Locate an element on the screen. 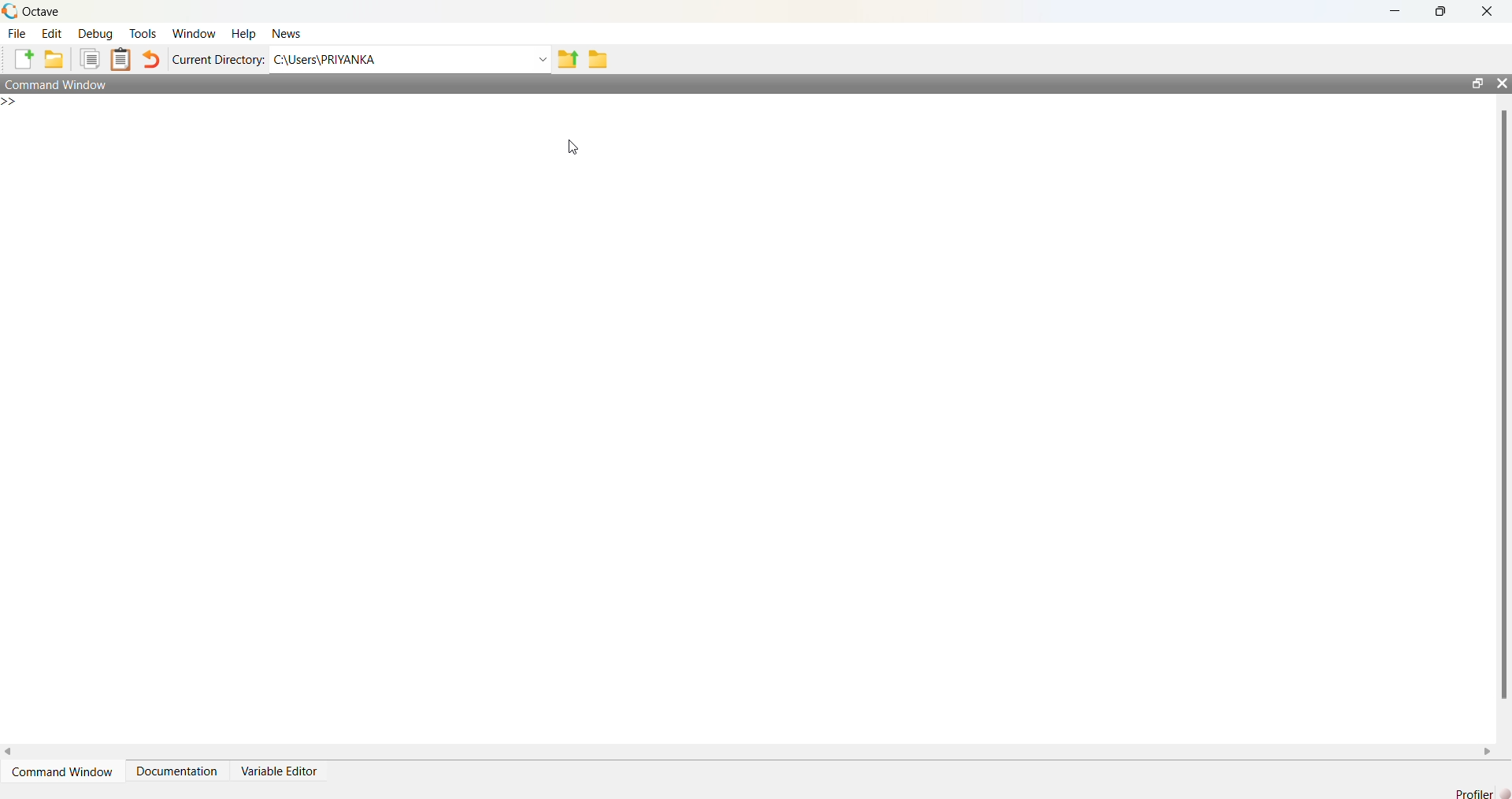 The width and height of the screenshot is (1512, 799). Current Directory: is located at coordinates (218, 60).